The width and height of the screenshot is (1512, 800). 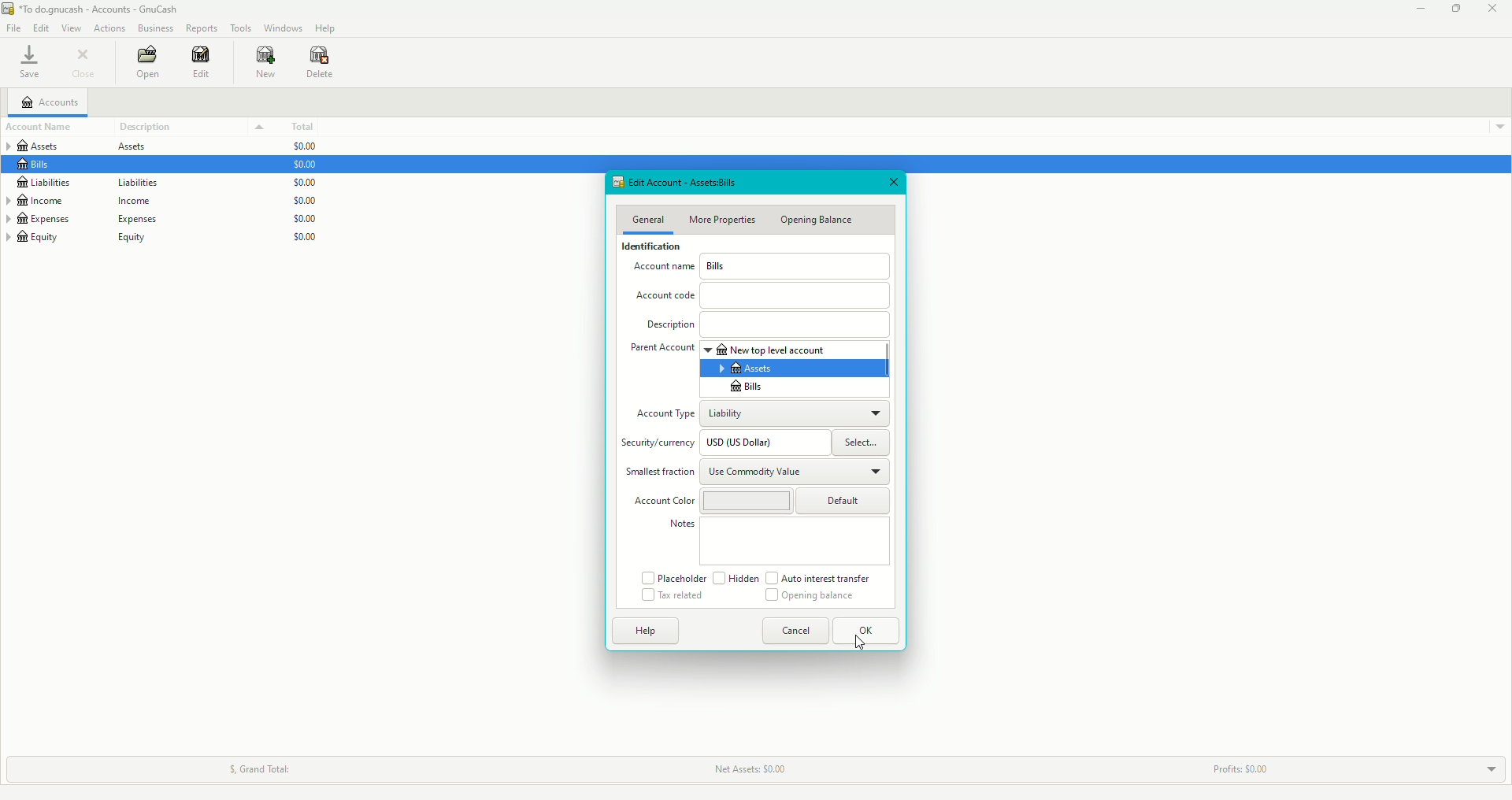 What do you see at coordinates (823, 578) in the screenshot?
I see `Auto interest transfer` at bounding box center [823, 578].